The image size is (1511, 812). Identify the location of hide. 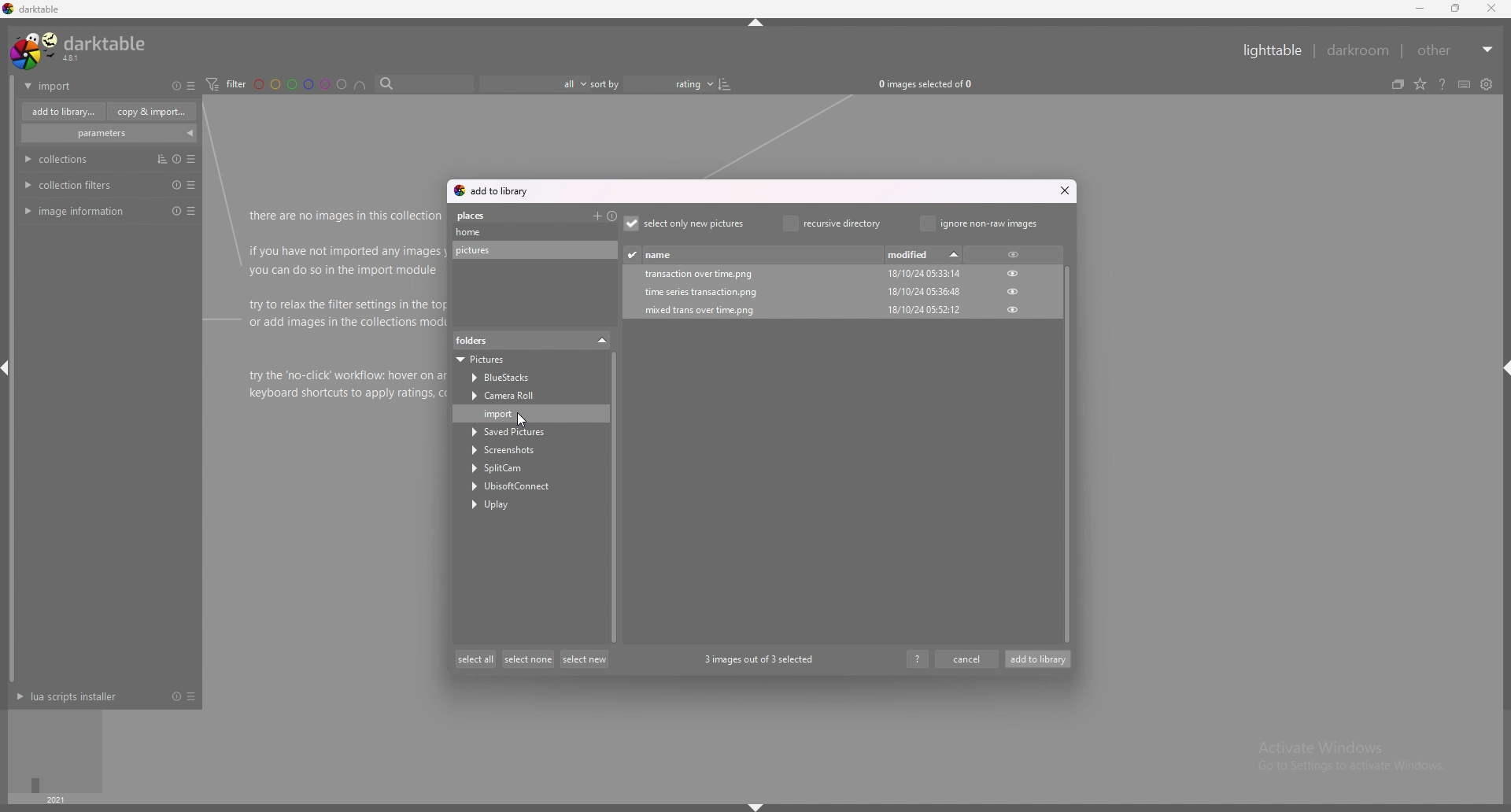
(1014, 255).